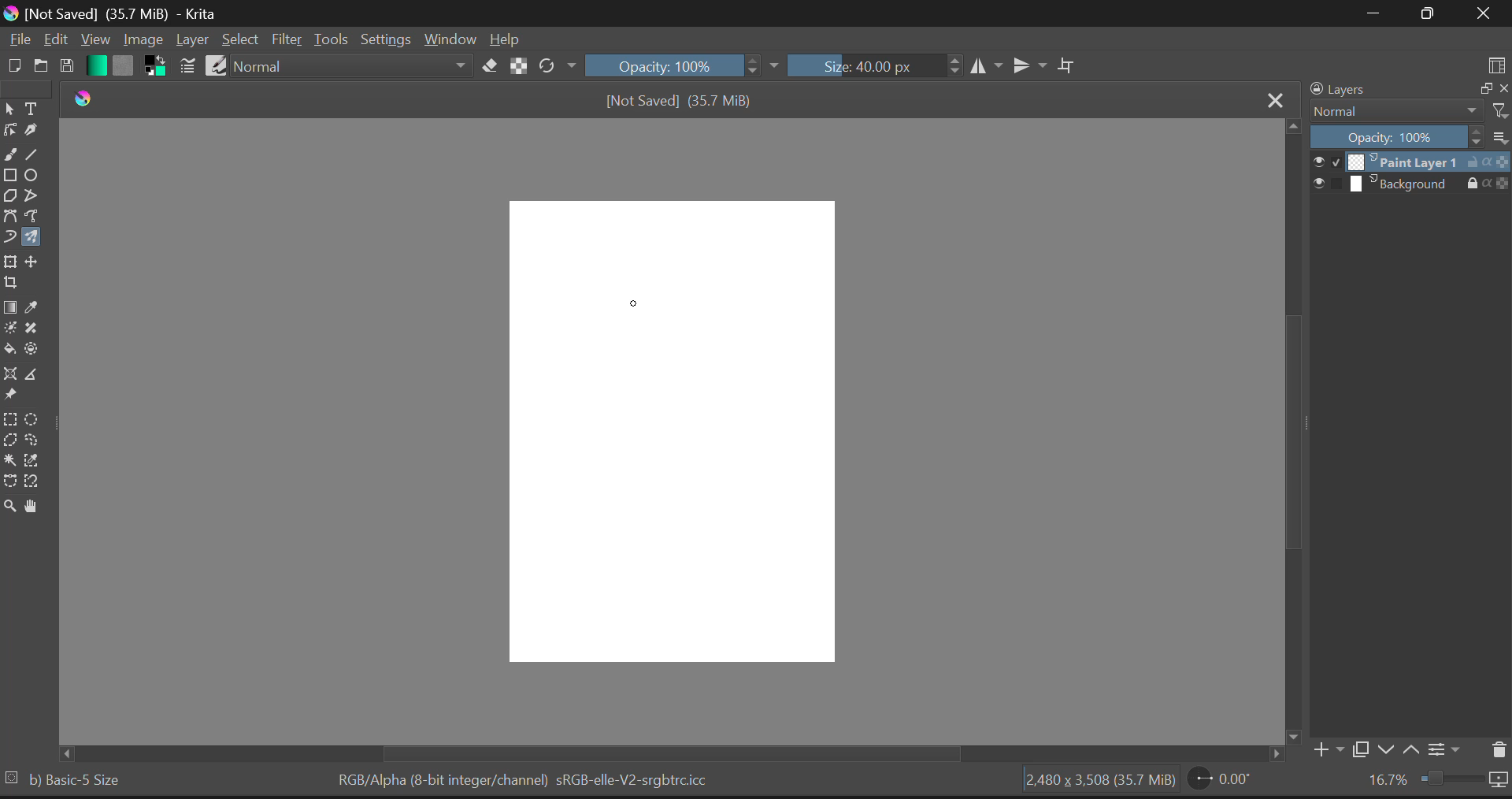 The height and width of the screenshot is (799, 1512). What do you see at coordinates (35, 507) in the screenshot?
I see `Pan` at bounding box center [35, 507].